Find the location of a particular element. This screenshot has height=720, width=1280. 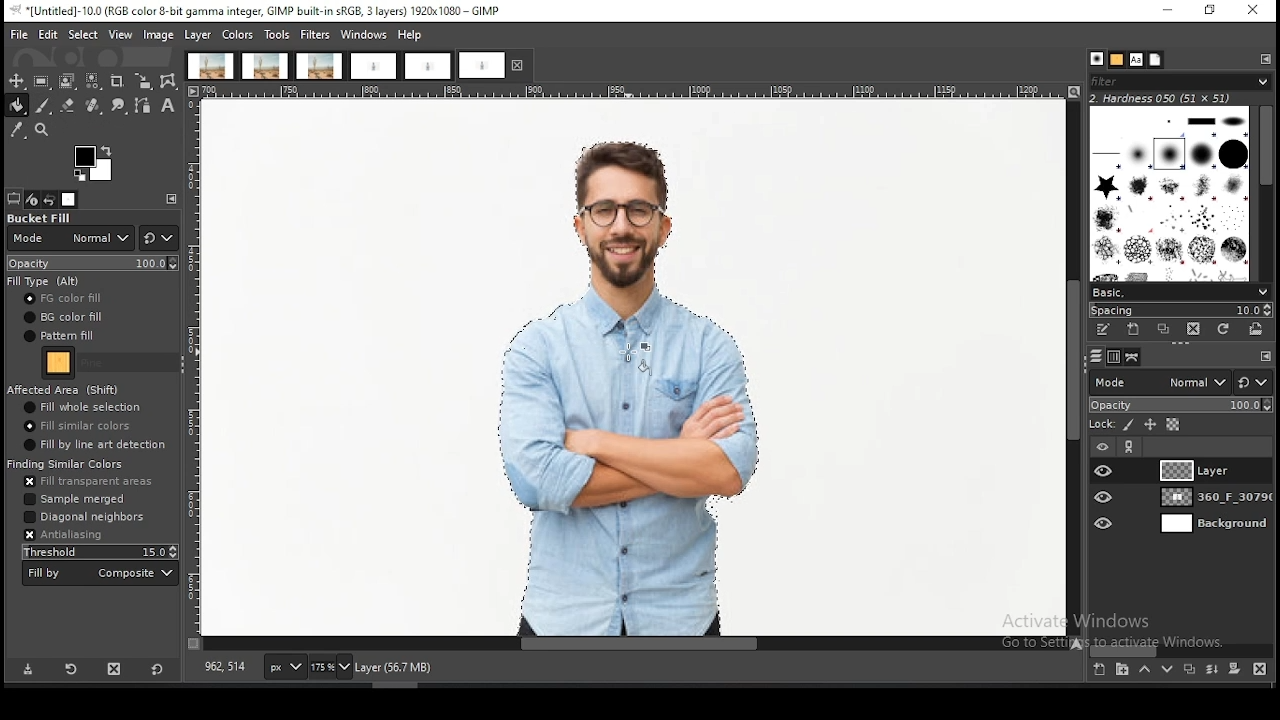

delete brush is located at coordinates (1194, 330).